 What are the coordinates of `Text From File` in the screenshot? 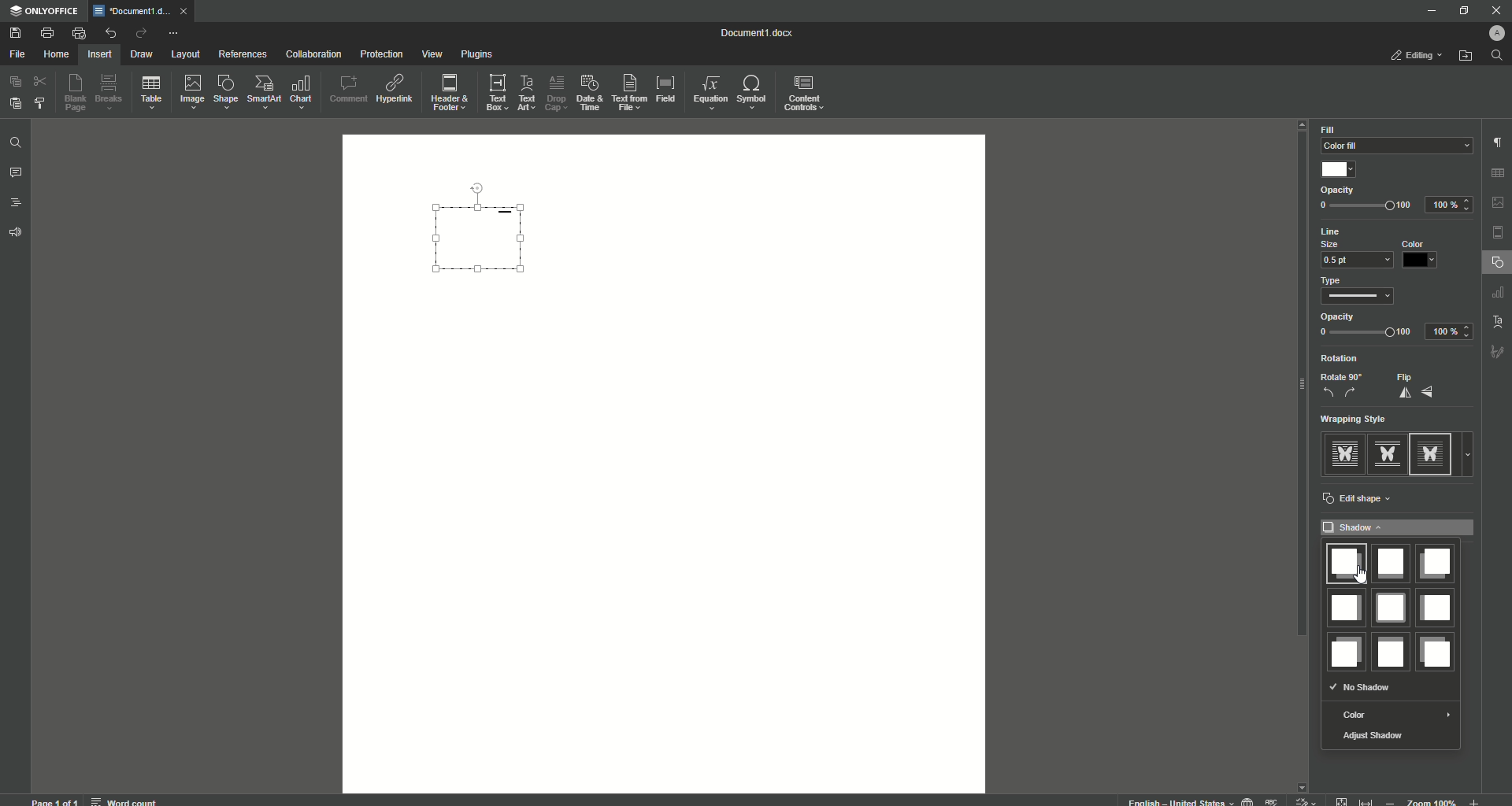 It's located at (627, 91).